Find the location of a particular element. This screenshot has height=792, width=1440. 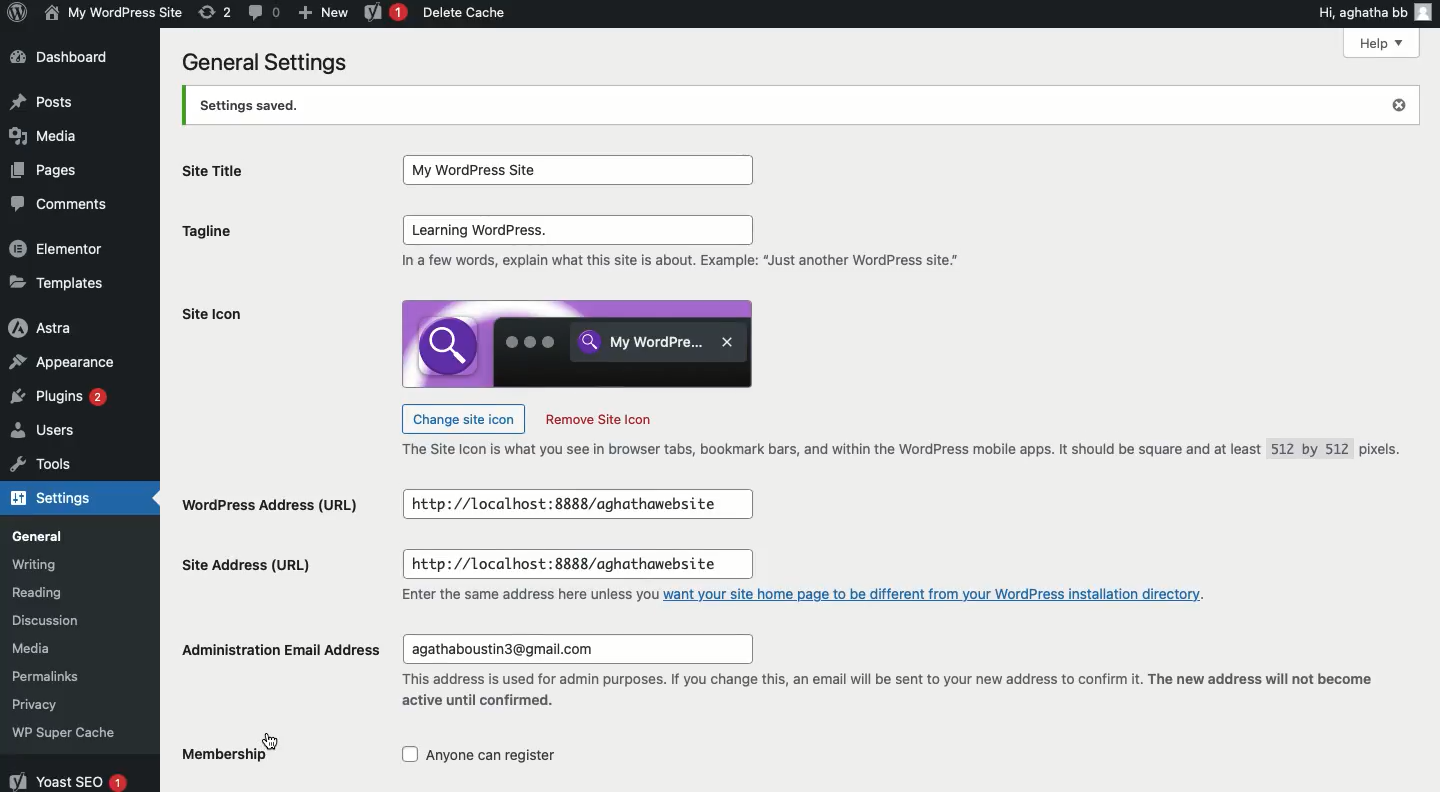

Settings saved is located at coordinates (795, 104).